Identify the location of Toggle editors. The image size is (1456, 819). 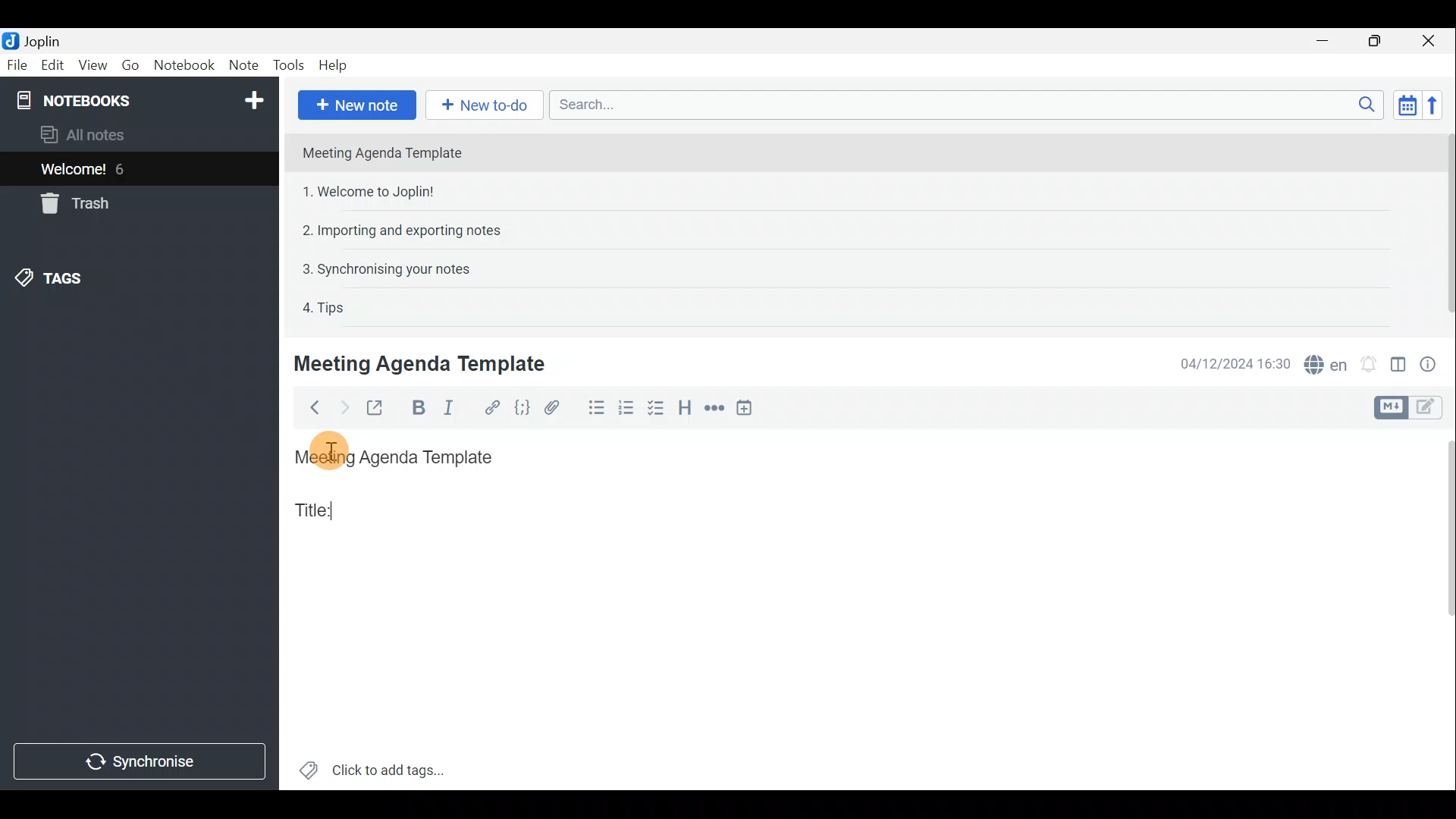
(1429, 409).